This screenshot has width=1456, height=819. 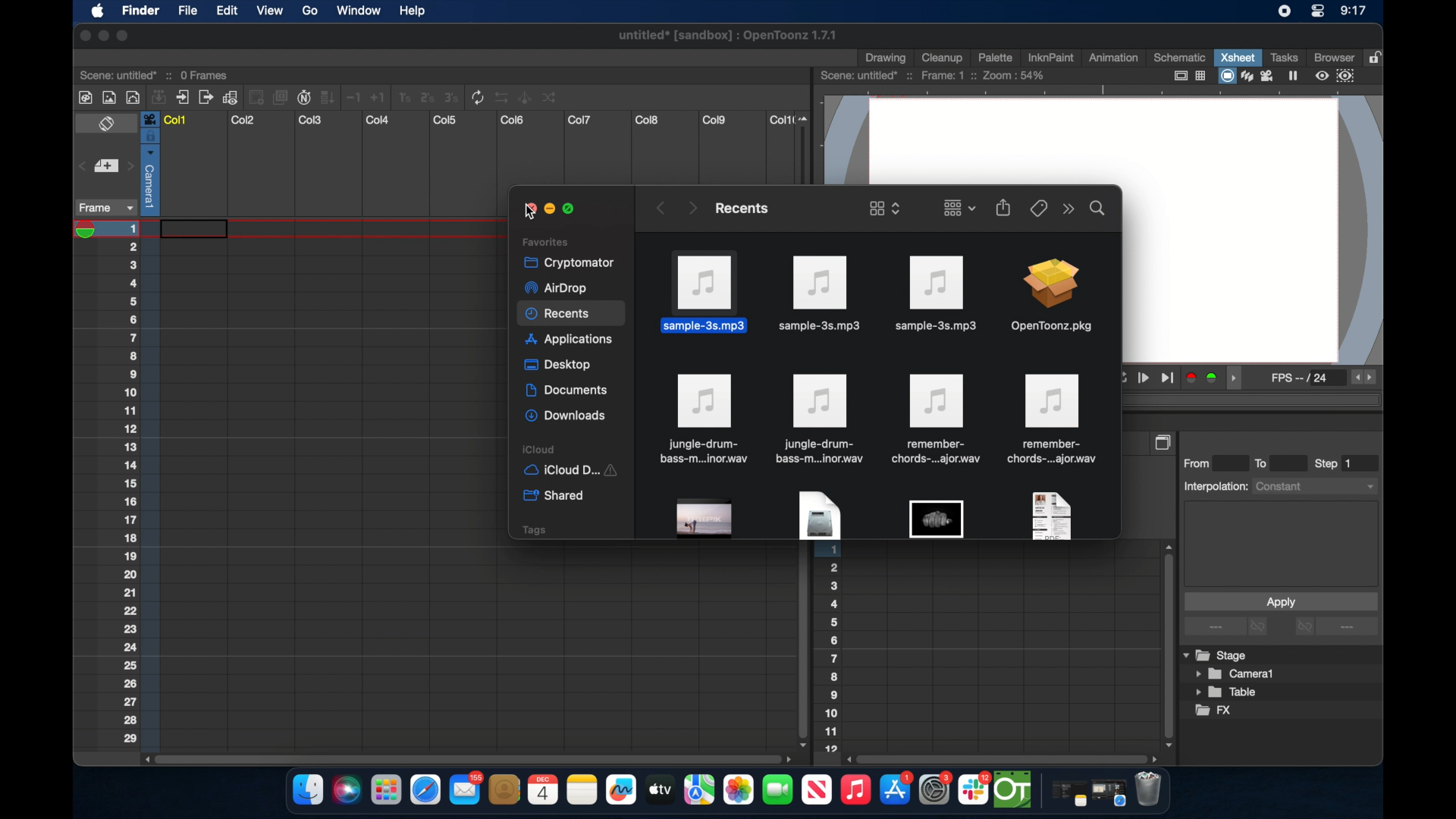 I want to click on file, so click(x=702, y=419).